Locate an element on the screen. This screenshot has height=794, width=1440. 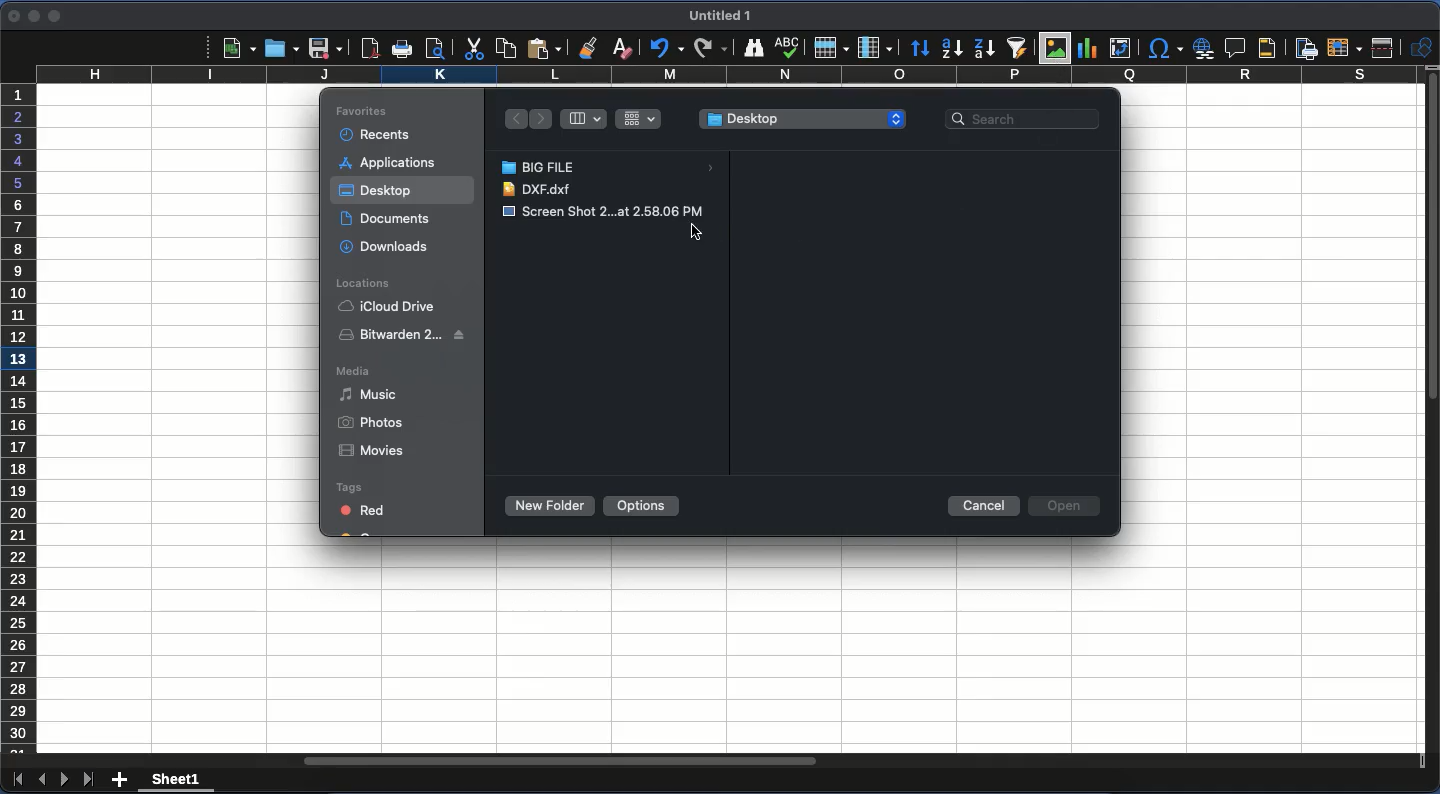
applications is located at coordinates (388, 162).